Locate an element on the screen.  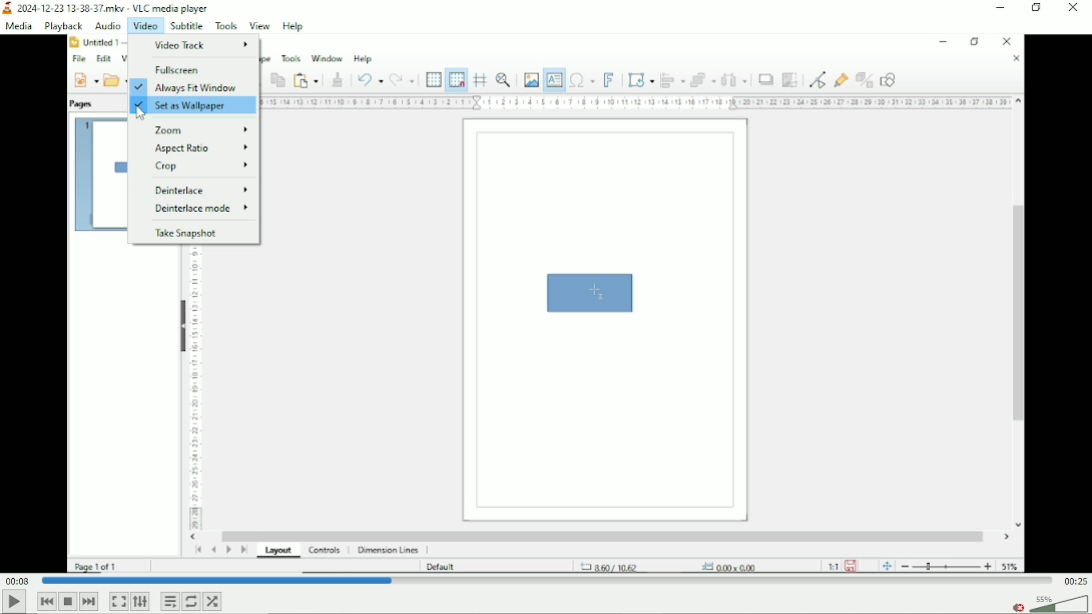
Stop playlist is located at coordinates (68, 601).